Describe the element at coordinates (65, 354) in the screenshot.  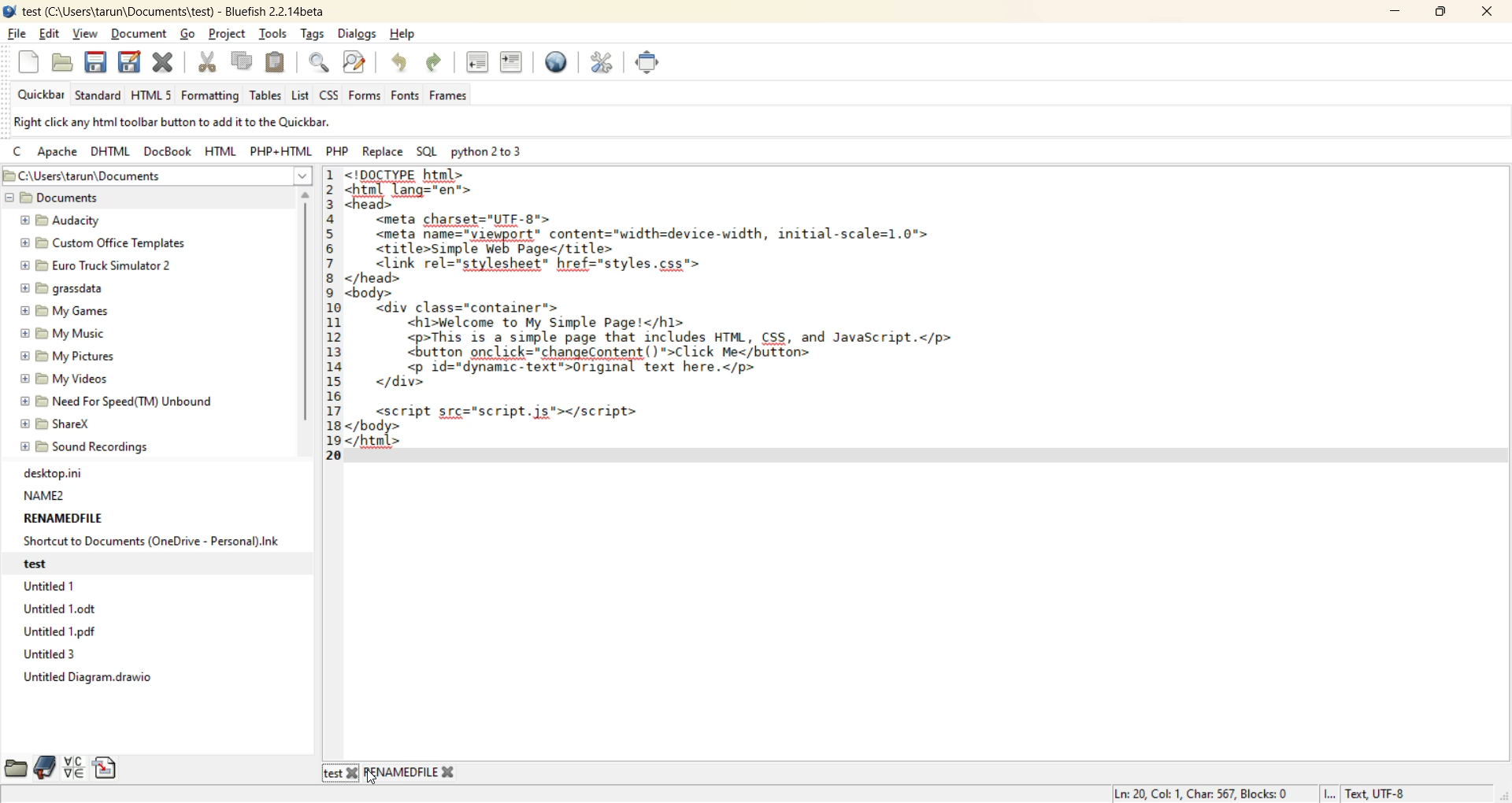
I see `My Pictures` at that location.